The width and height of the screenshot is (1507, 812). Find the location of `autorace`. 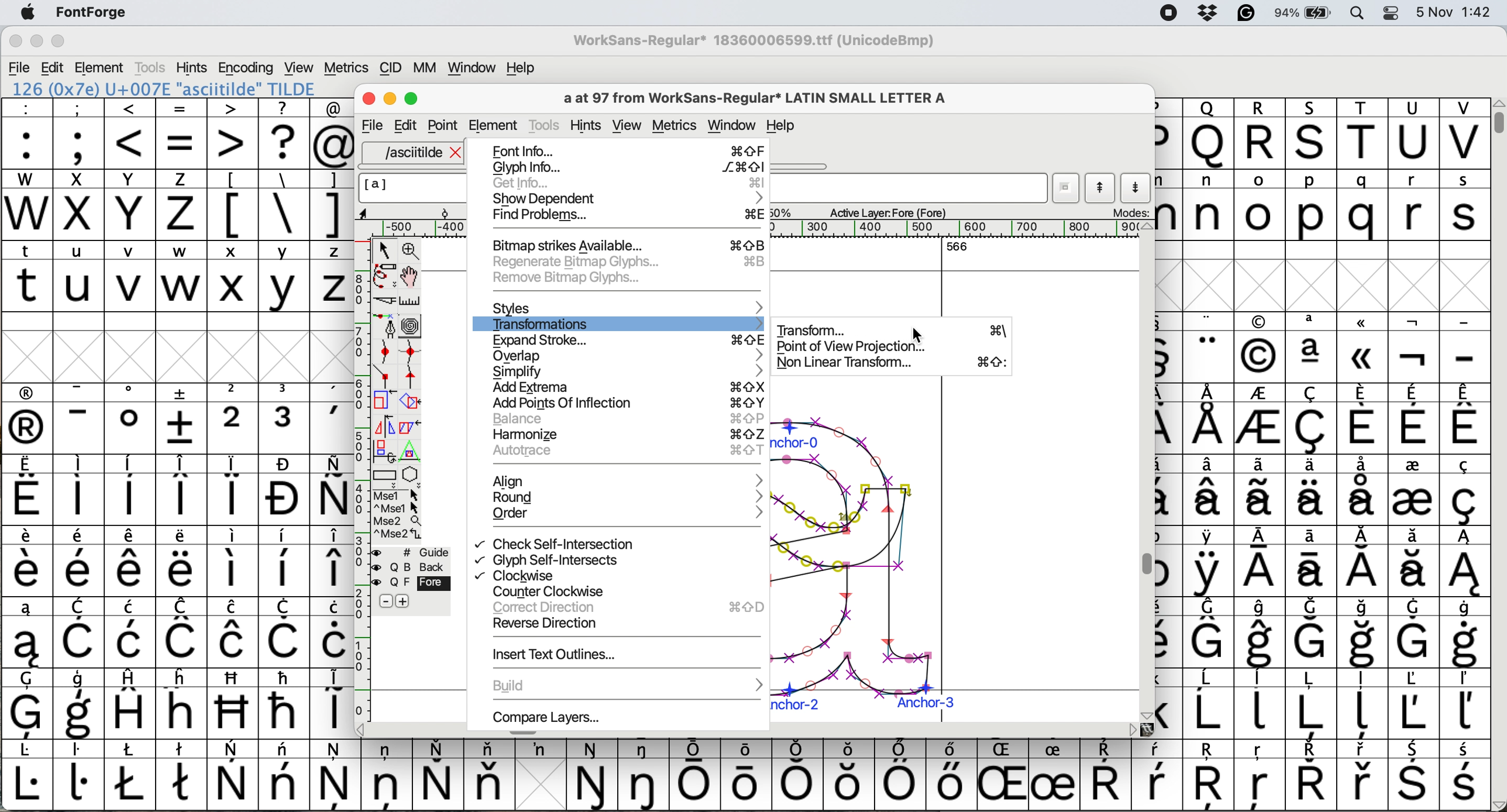

autorace is located at coordinates (624, 453).